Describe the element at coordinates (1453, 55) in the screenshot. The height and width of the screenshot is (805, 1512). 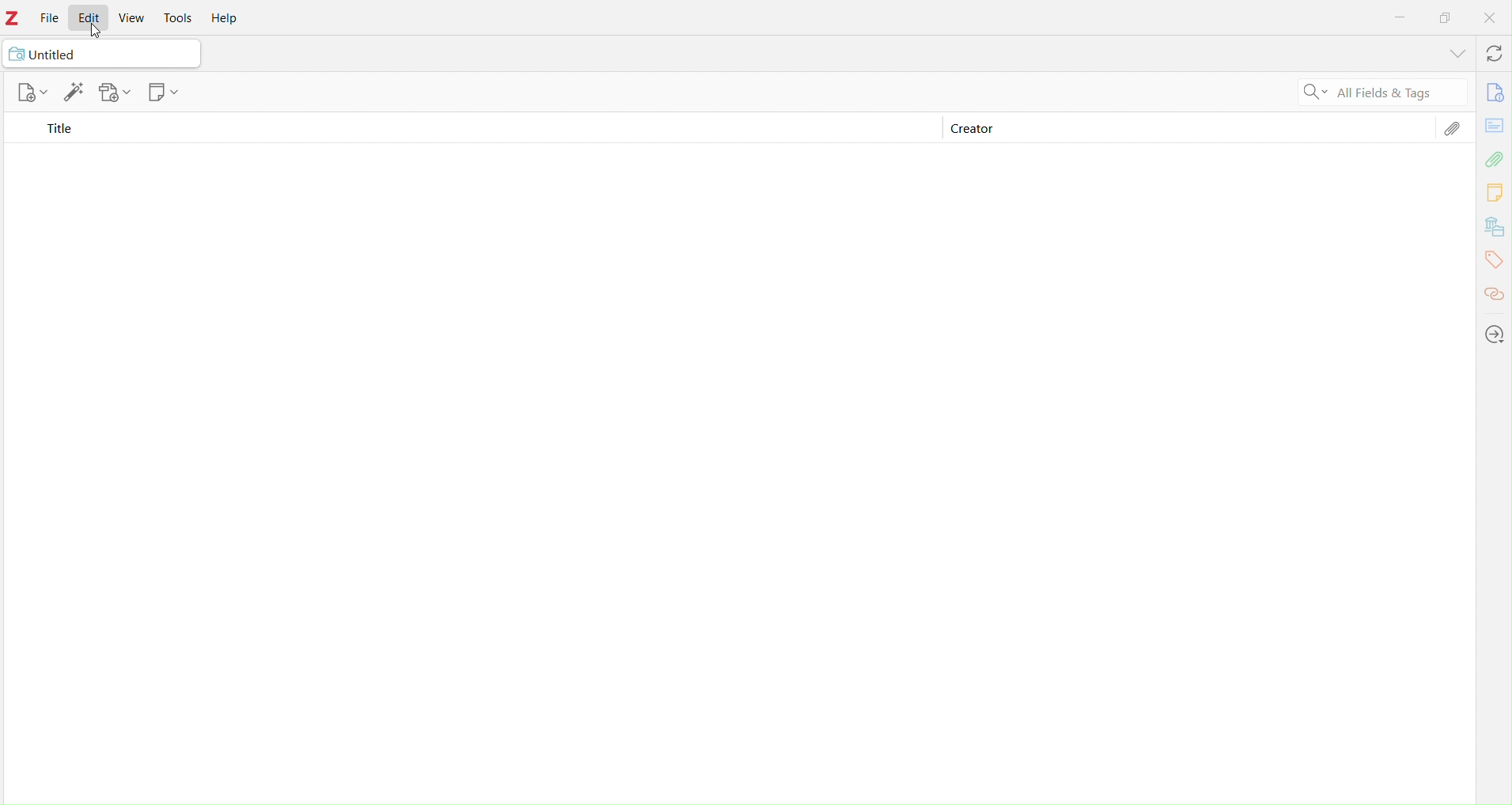
I see `Dropdown` at that location.